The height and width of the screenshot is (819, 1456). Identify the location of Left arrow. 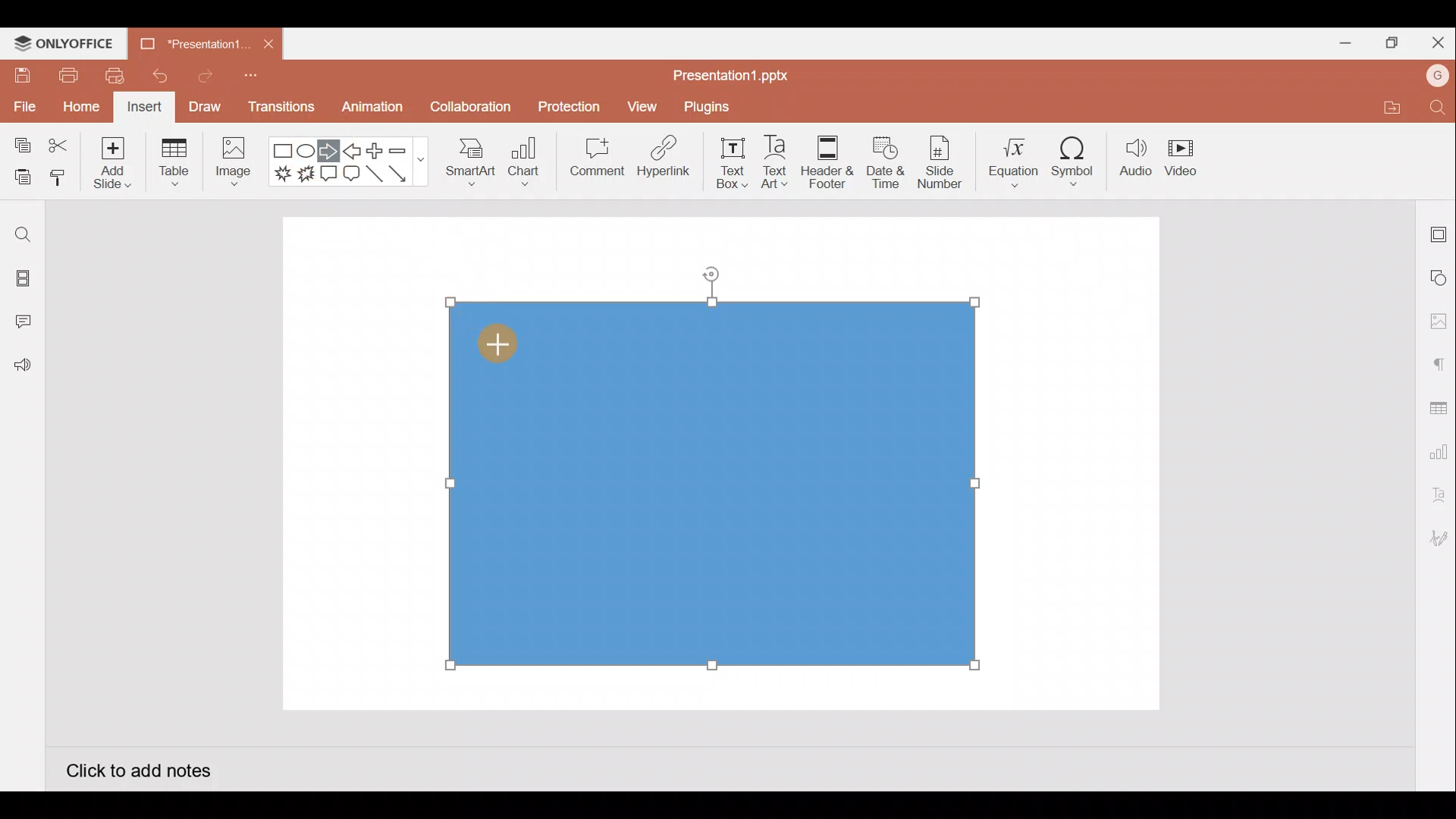
(353, 151).